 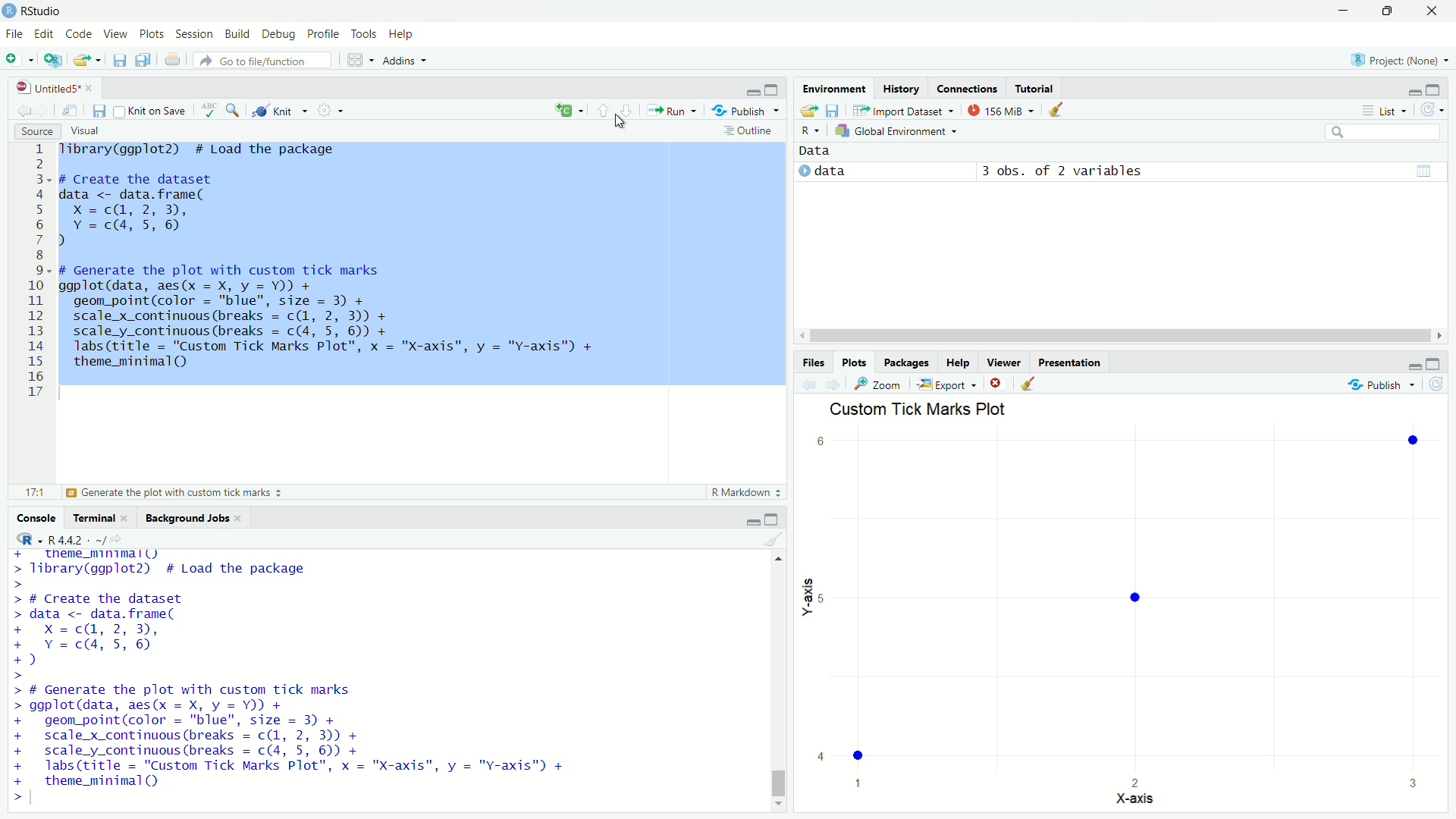 I want to click on help, so click(x=959, y=361).